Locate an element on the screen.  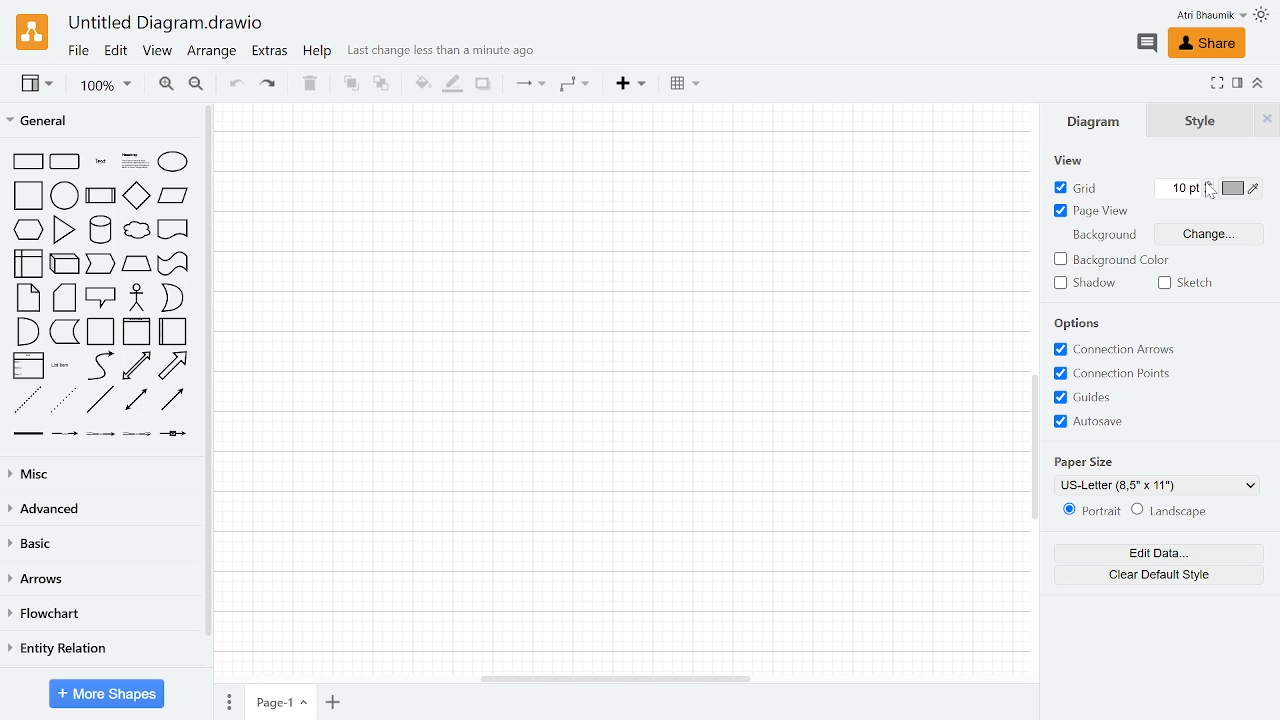
Theme is located at coordinates (1262, 15).